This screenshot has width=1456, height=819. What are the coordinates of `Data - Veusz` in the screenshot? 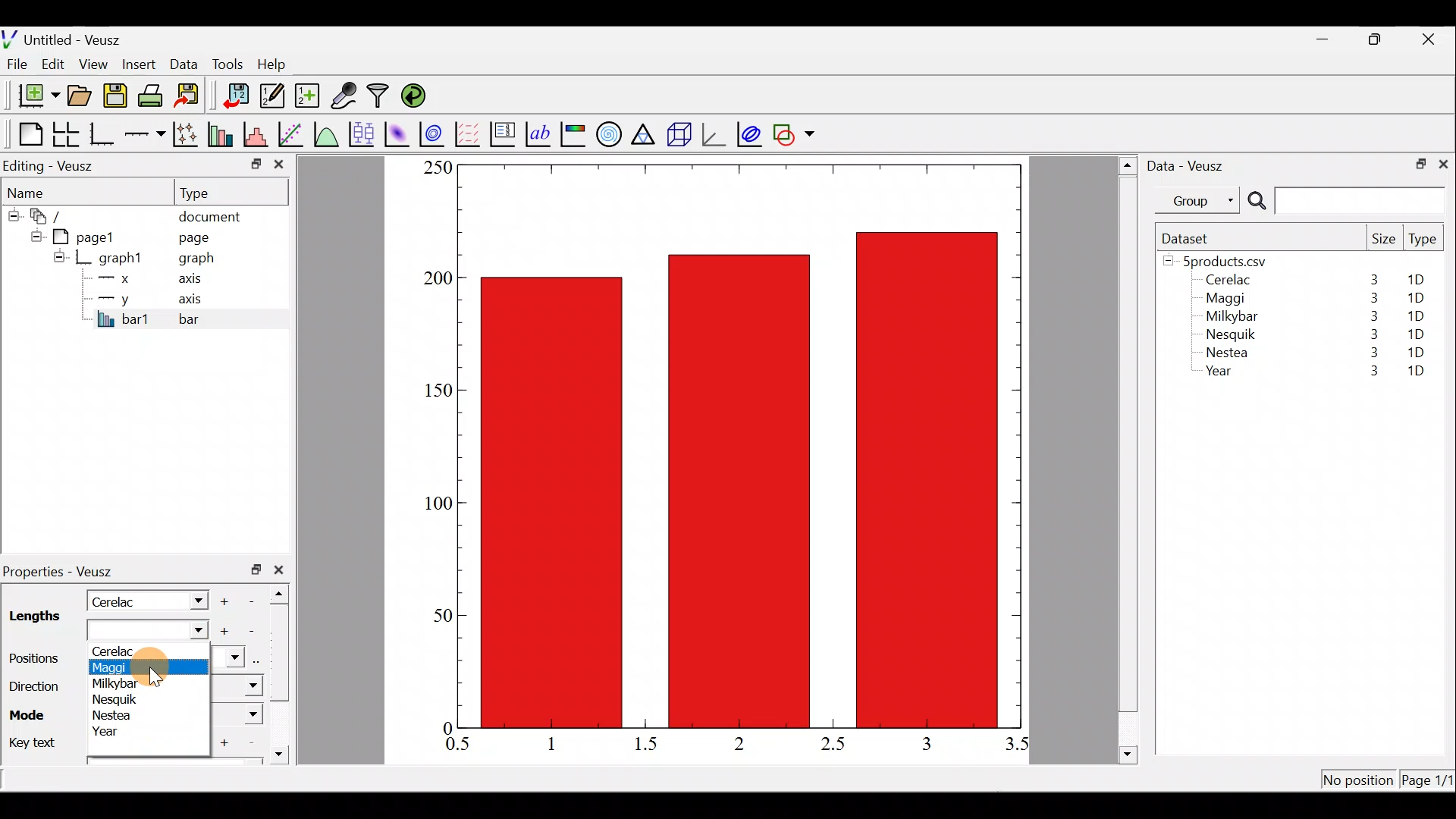 It's located at (1189, 164).